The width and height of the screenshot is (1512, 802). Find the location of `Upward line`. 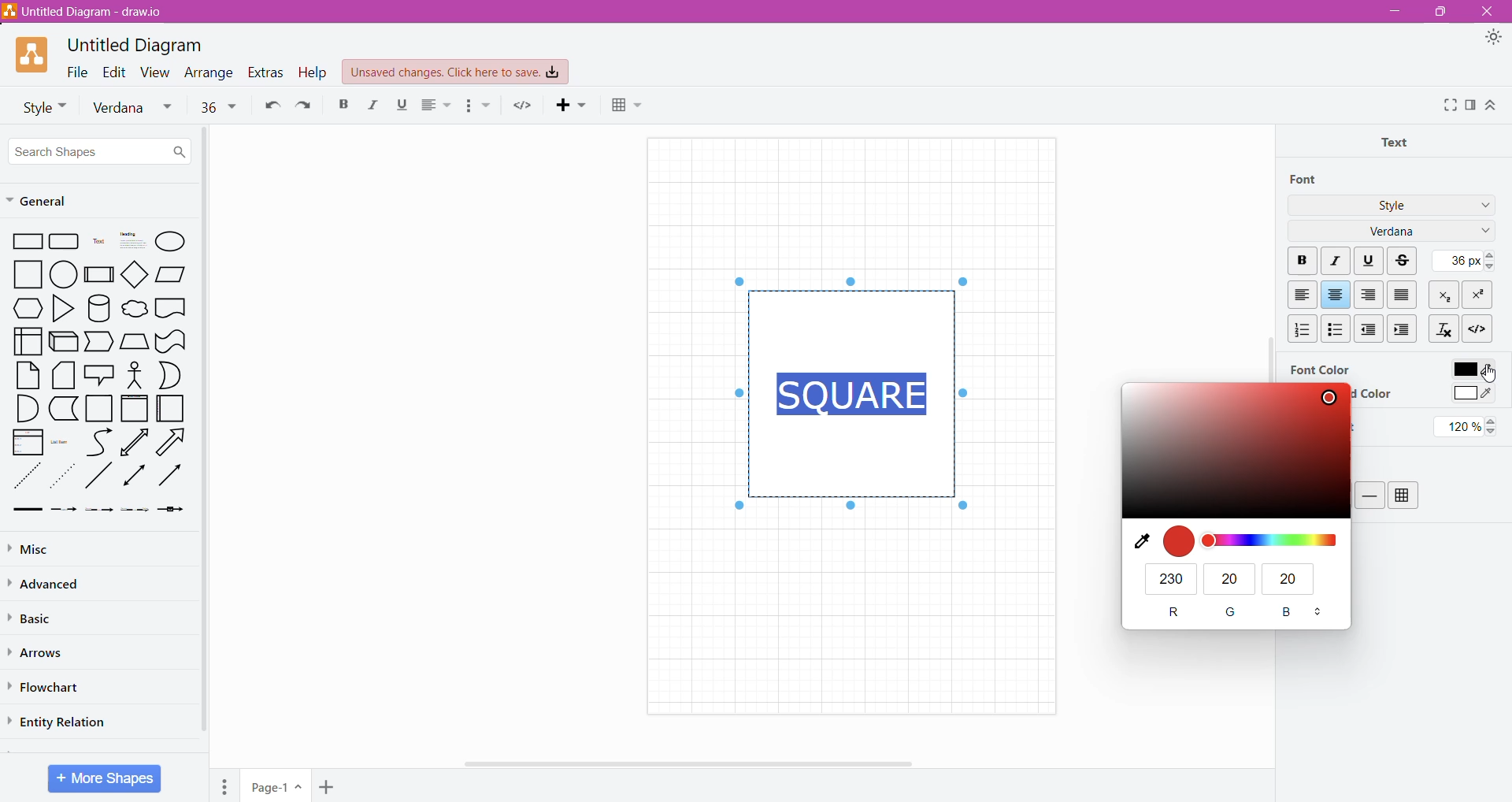

Upward line is located at coordinates (134, 442).